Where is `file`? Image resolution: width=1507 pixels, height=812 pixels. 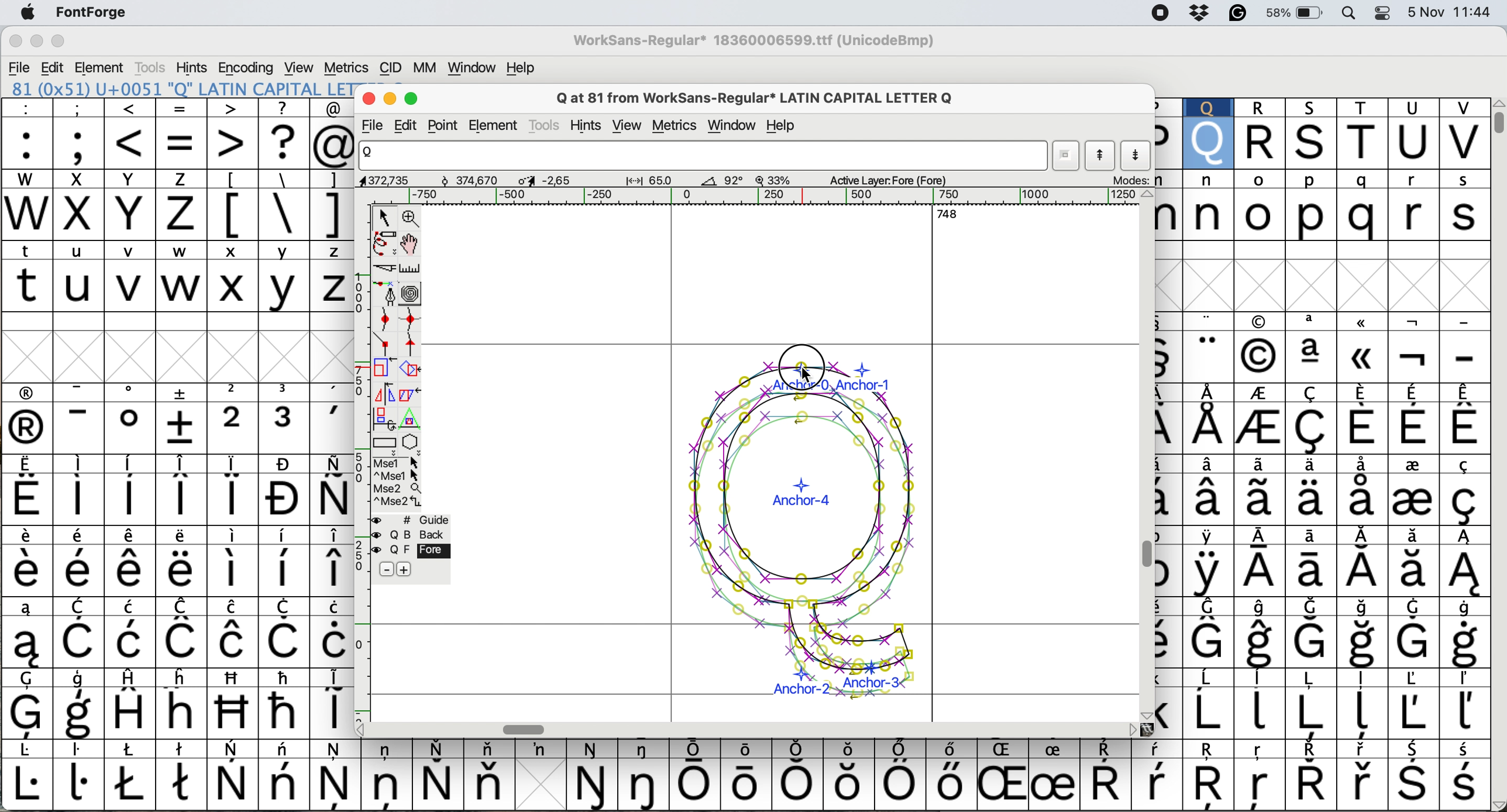
file is located at coordinates (375, 126).